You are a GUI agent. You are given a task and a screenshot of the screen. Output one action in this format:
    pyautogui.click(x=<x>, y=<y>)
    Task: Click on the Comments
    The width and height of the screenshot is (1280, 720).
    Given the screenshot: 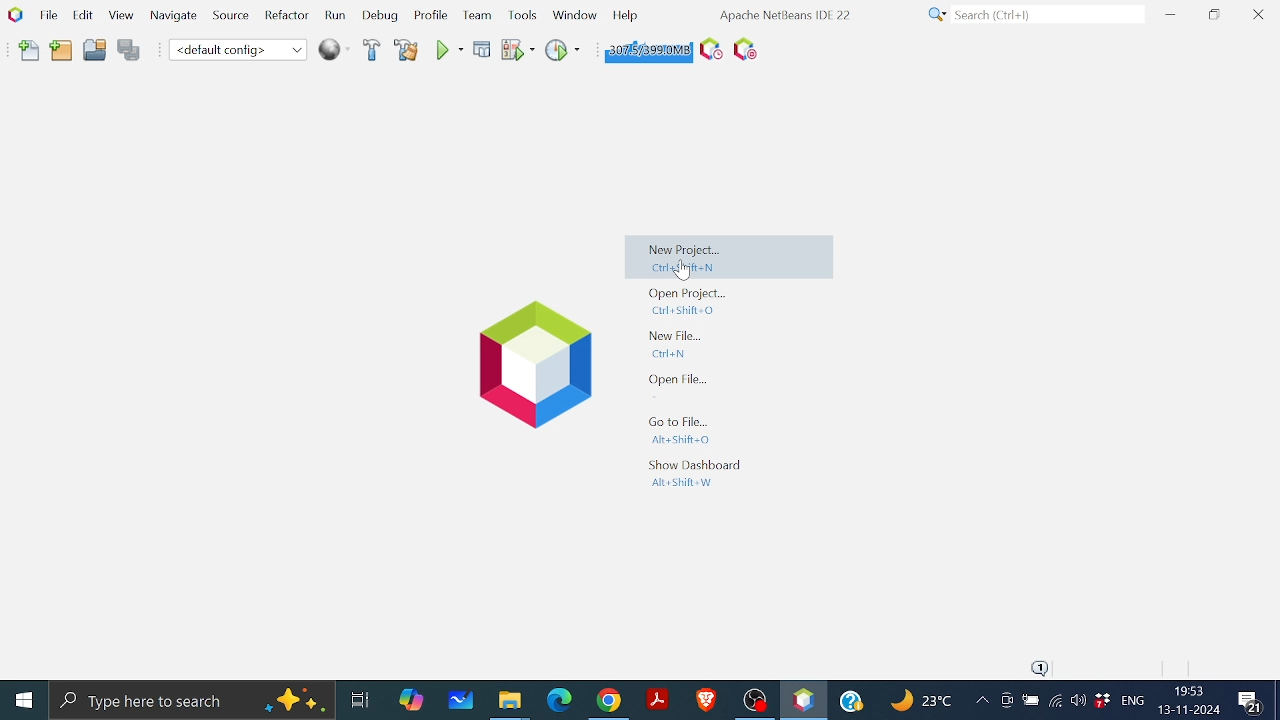 What is the action you would take?
    pyautogui.click(x=1253, y=702)
    